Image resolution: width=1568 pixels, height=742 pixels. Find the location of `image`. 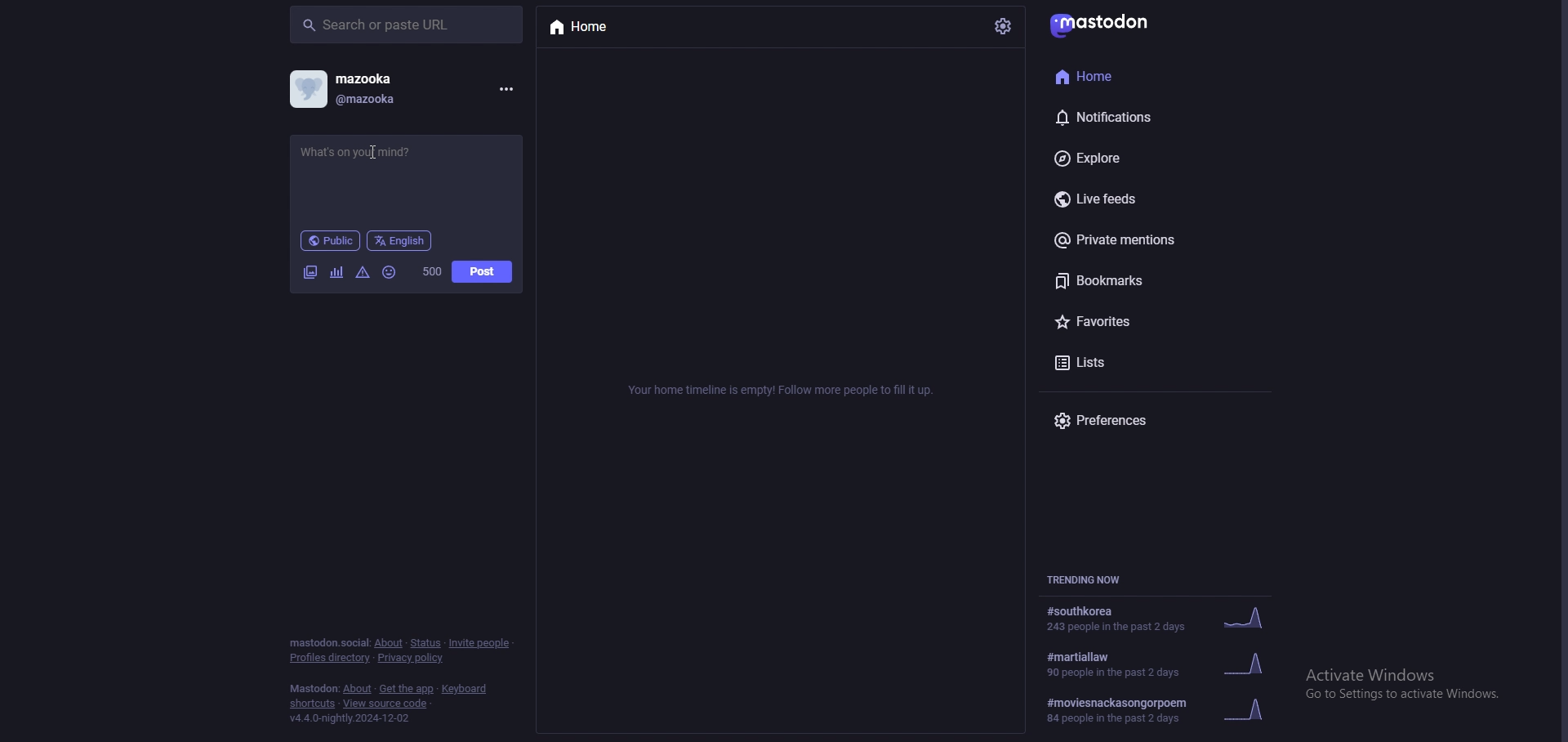

image is located at coordinates (311, 272).